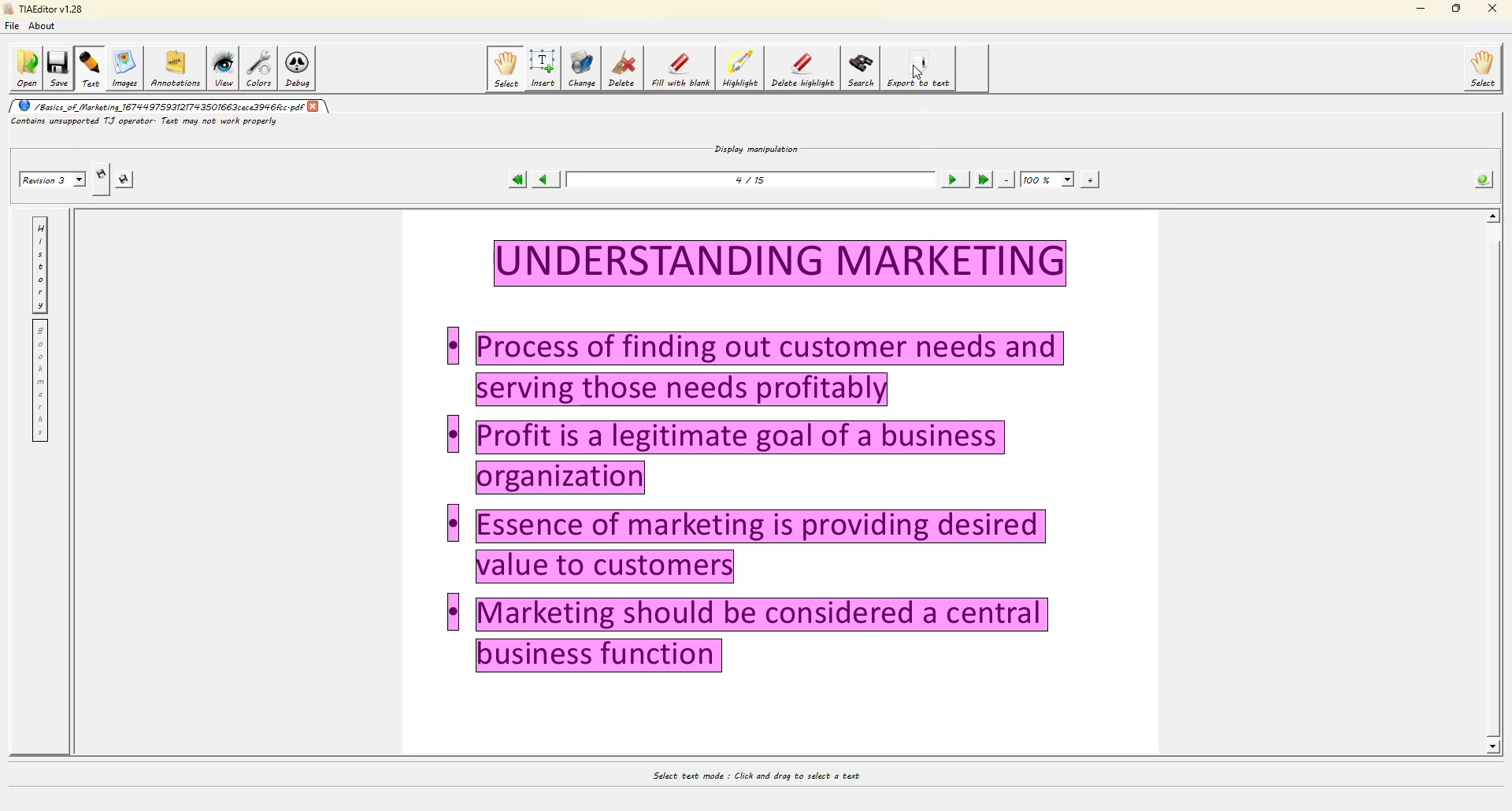  Describe the element at coordinates (148, 122) in the screenshot. I see `info` at that location.